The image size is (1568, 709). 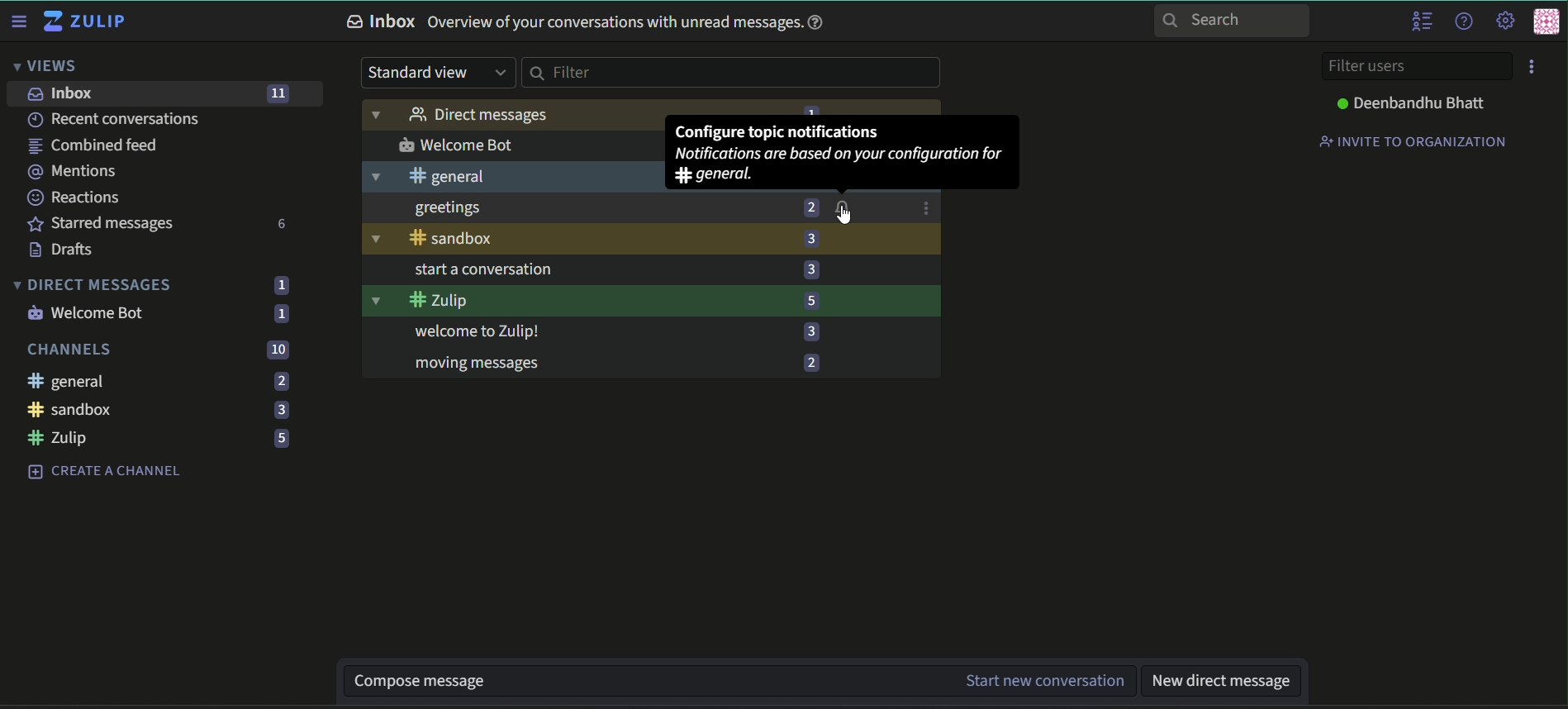 What do you see at coordinates (69, 350) in the screenshot?
I see `Channels` at bounding box center [69, 350].